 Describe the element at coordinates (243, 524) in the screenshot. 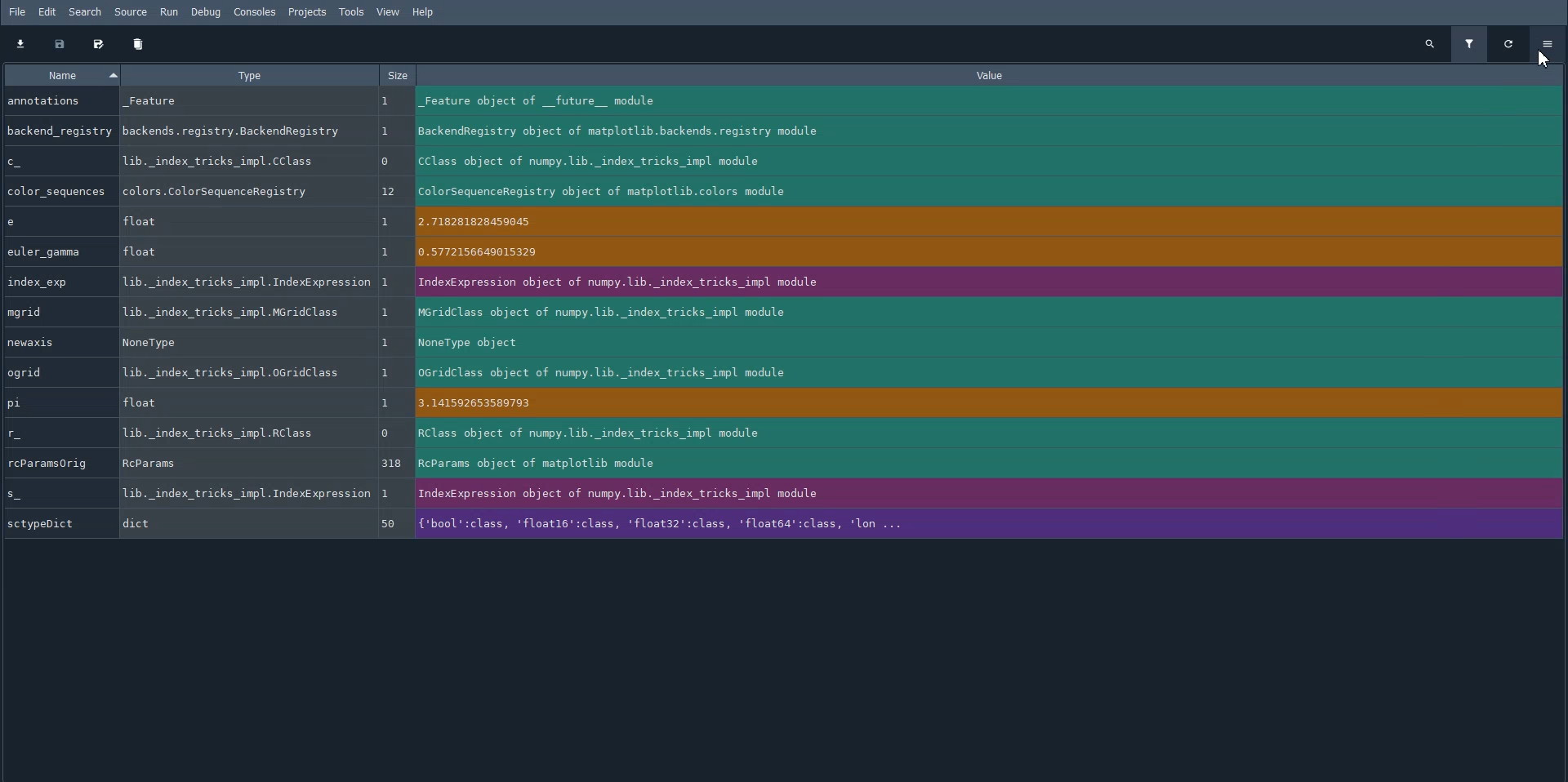

I see `dict` at that location.